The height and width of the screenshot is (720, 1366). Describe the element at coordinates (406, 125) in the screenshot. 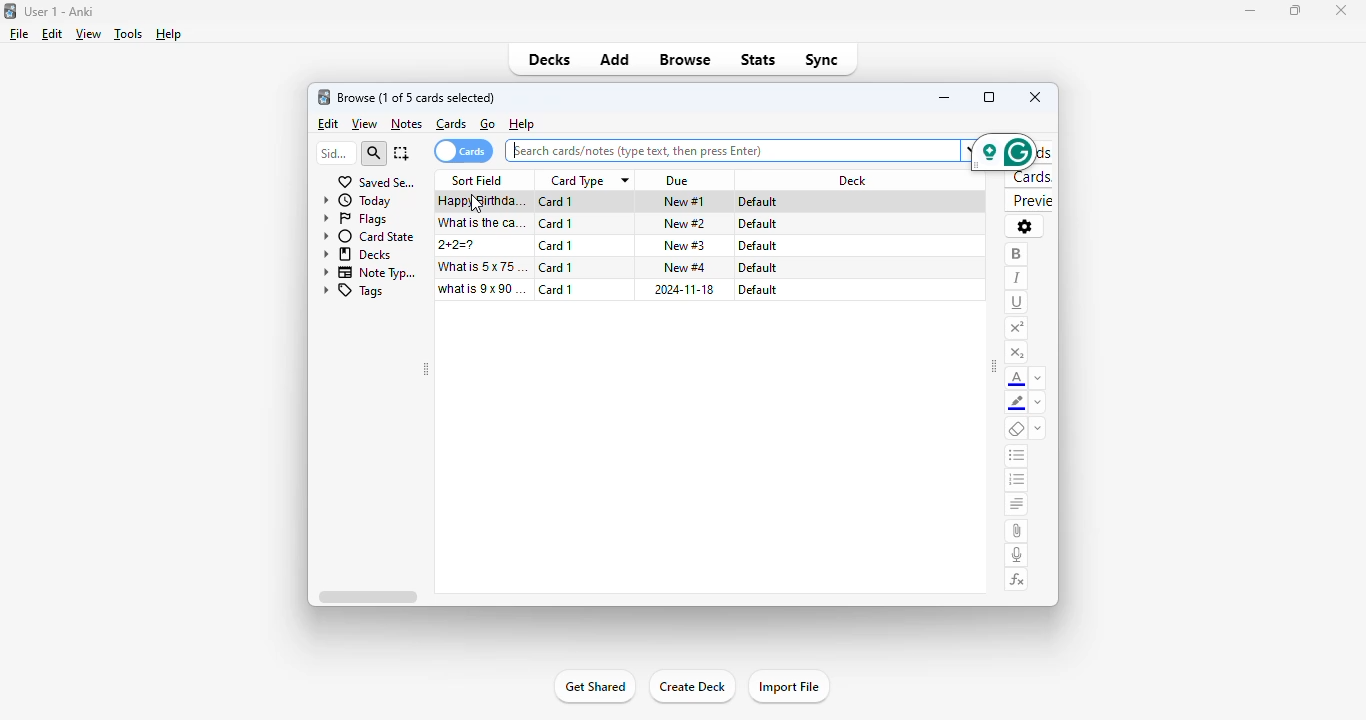

I see `notes` at that location.